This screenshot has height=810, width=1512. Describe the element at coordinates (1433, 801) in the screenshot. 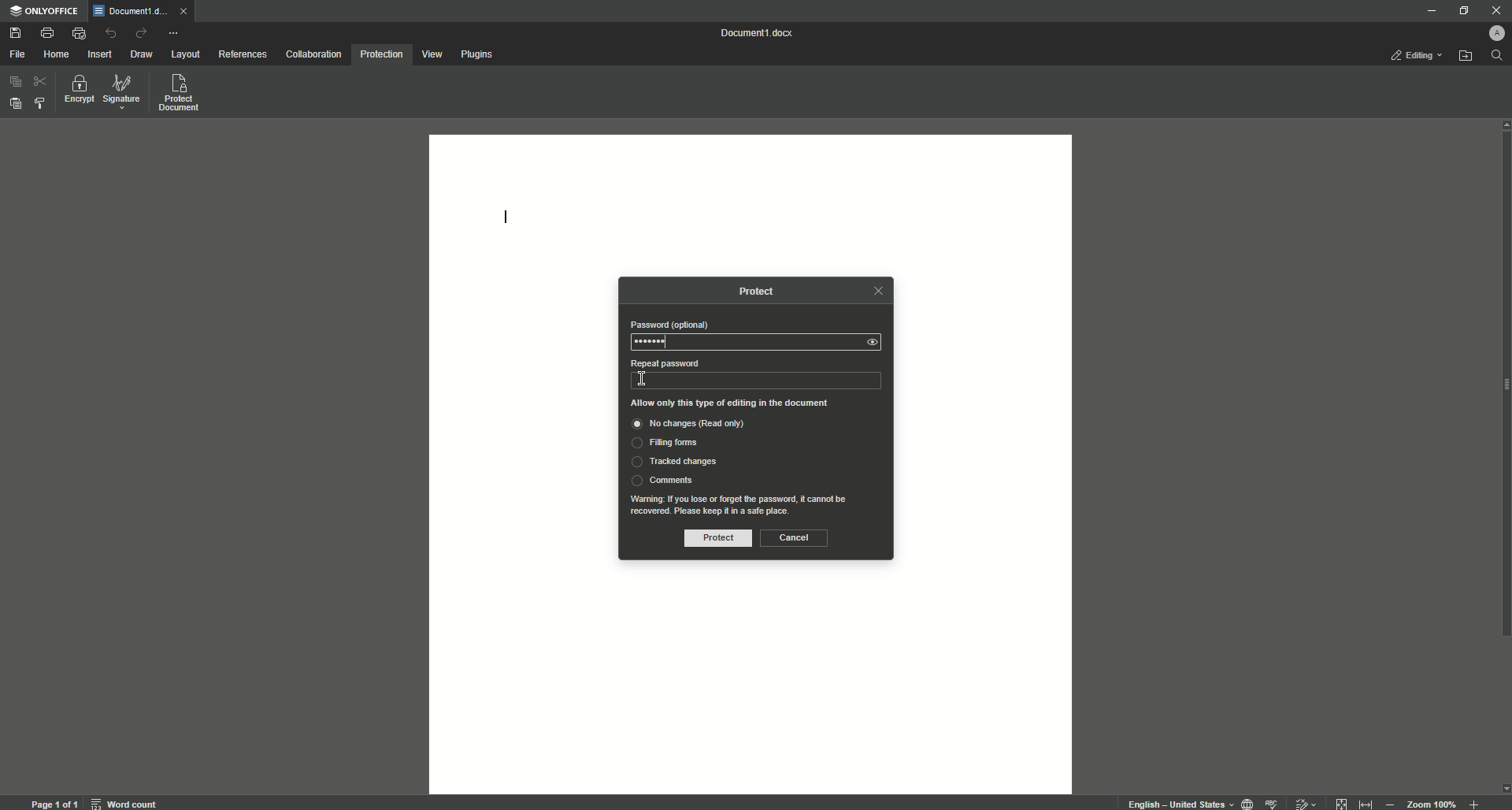

I see `zoom 100%` at that location.